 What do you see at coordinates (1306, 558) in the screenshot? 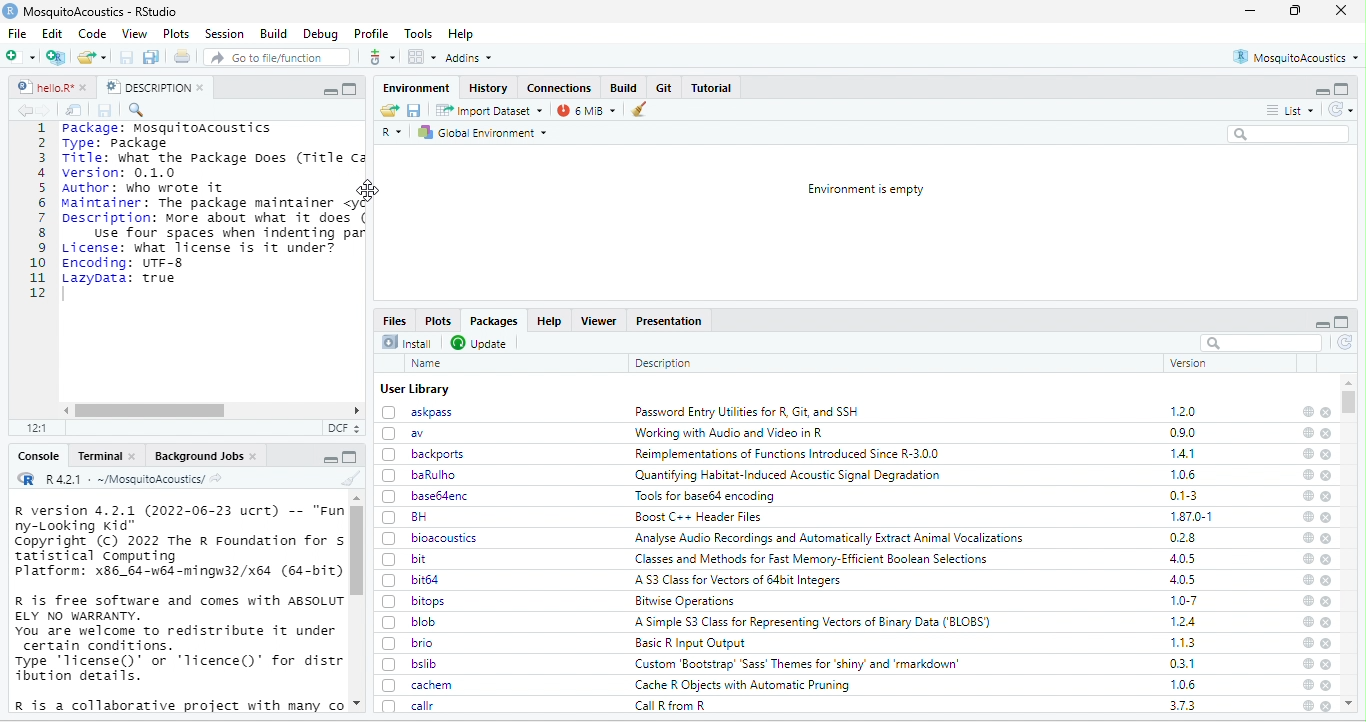
I see `help` at bounding box center [1306, 558].